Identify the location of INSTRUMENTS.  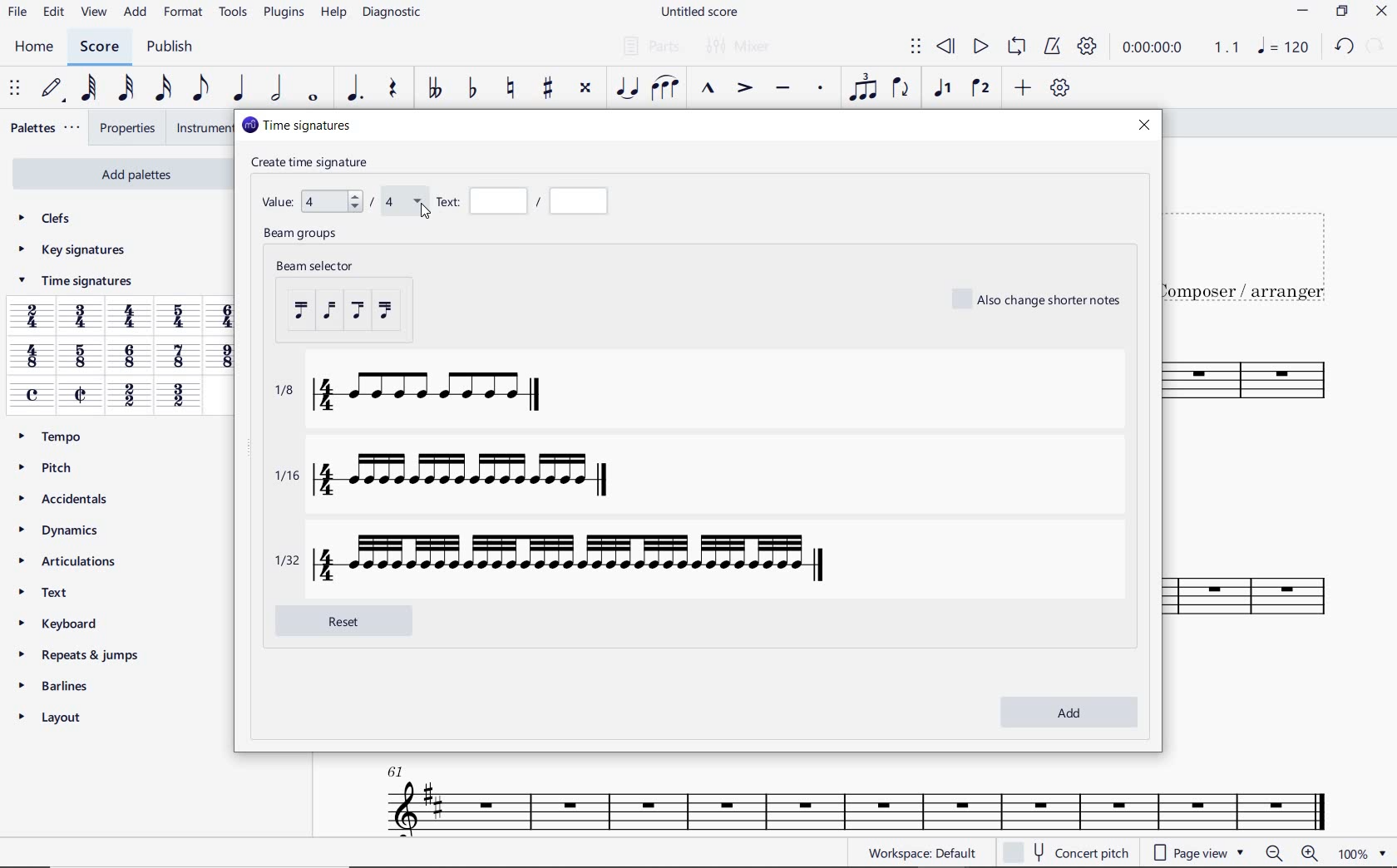
(201, 128).